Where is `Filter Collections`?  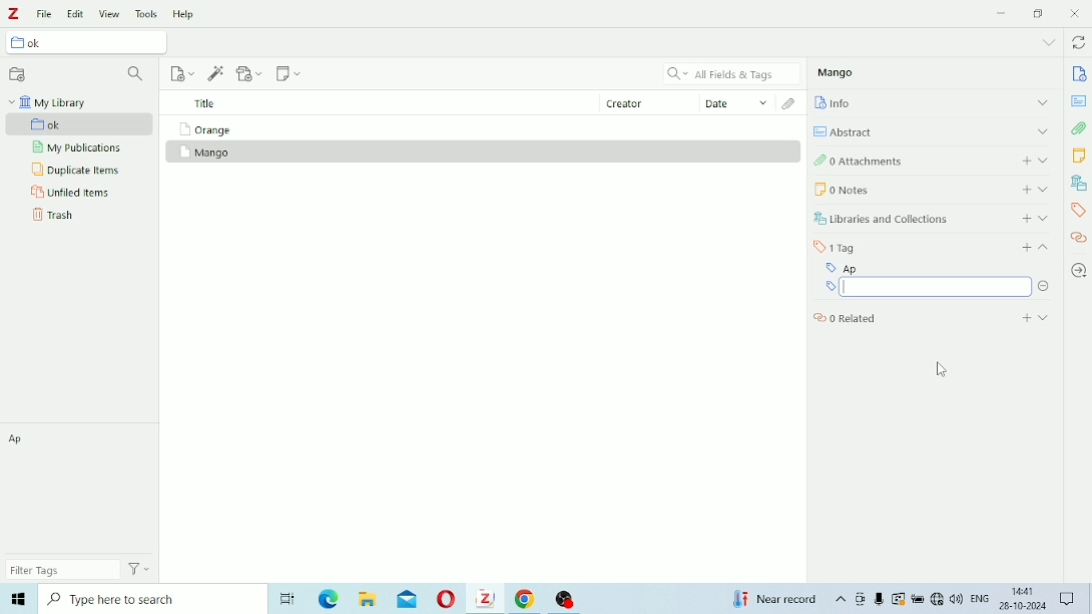
Filter Collections is located at coordinates (138, 75).